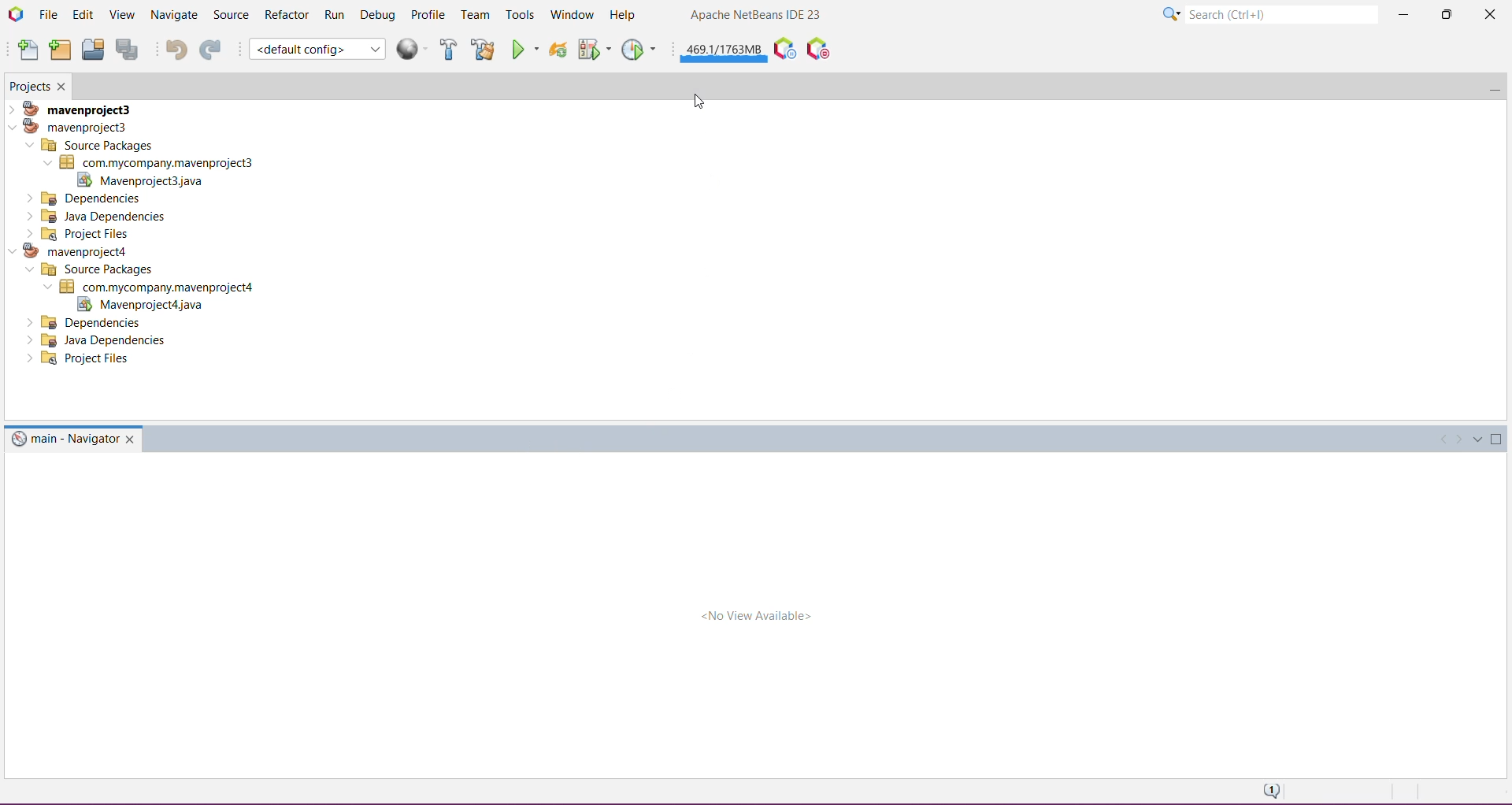  What do you see at coordinates (640, 49) in the screenshot?
I see `Profile Main Project` at bounding box center [640, 49].